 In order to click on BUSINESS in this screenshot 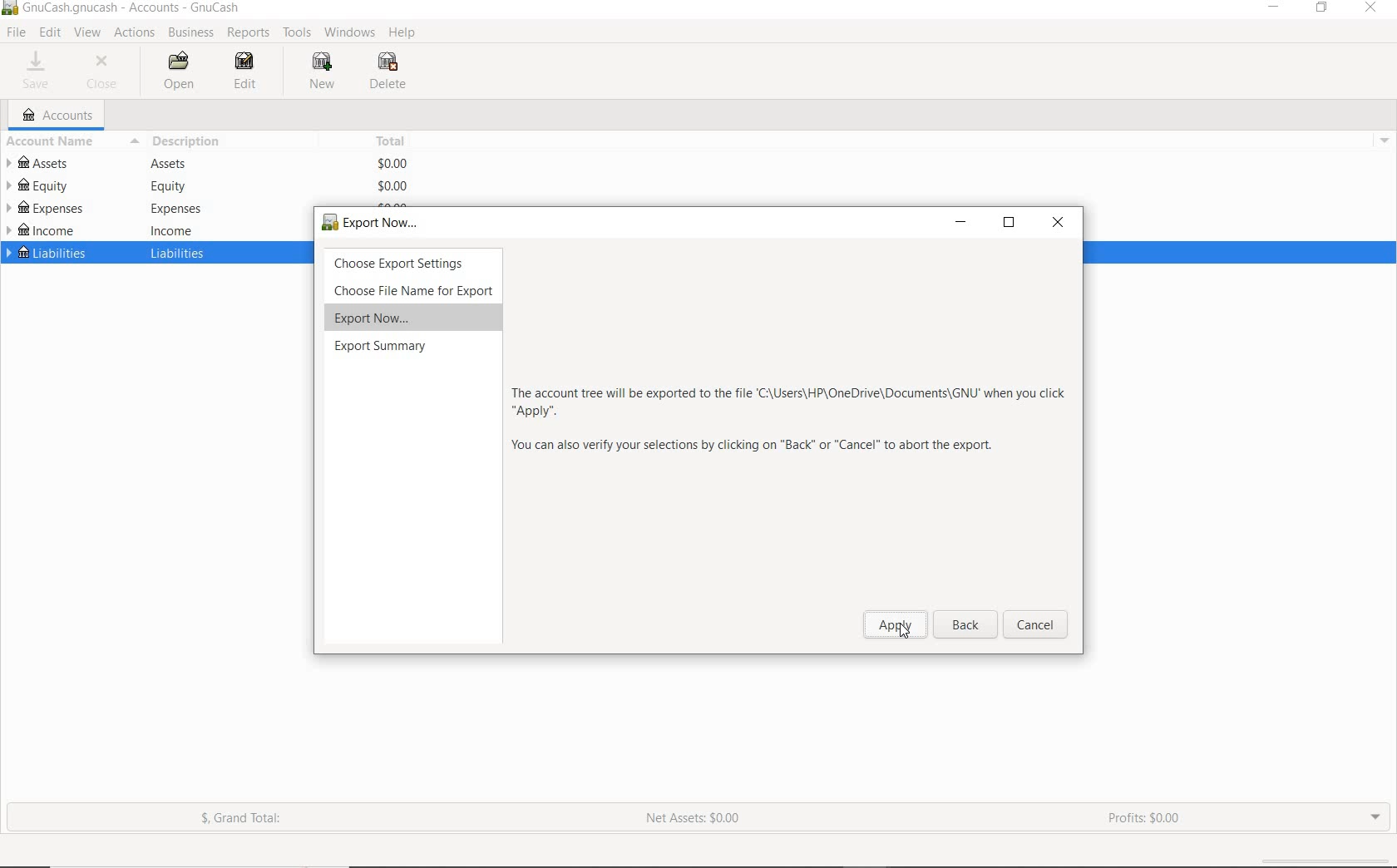, I will do `click(190, 33)`.